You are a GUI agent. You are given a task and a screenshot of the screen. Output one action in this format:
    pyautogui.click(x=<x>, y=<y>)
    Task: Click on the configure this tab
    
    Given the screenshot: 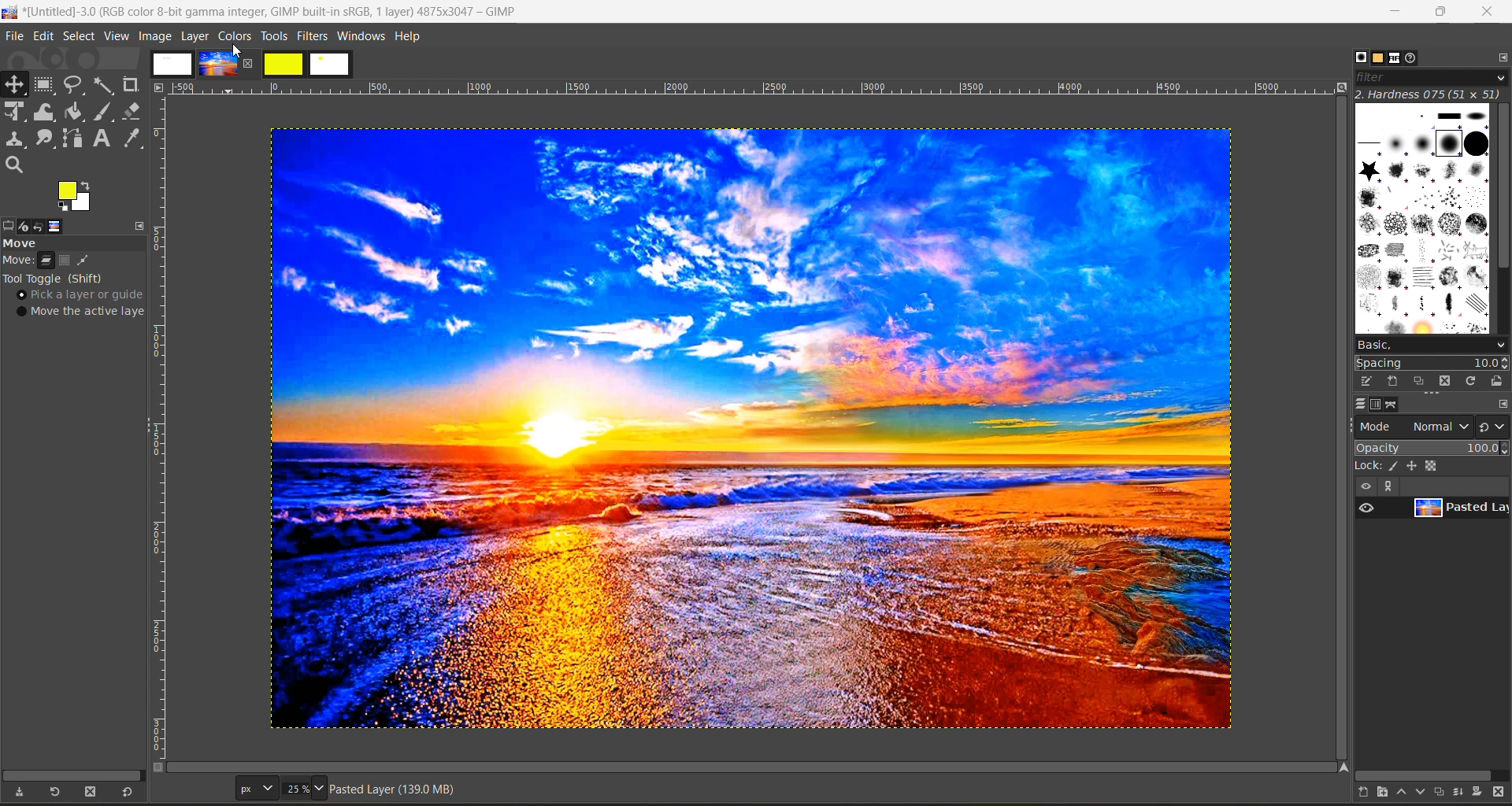 What is the action you would take?
    pyautogui.click(x=1503, y=405)
    